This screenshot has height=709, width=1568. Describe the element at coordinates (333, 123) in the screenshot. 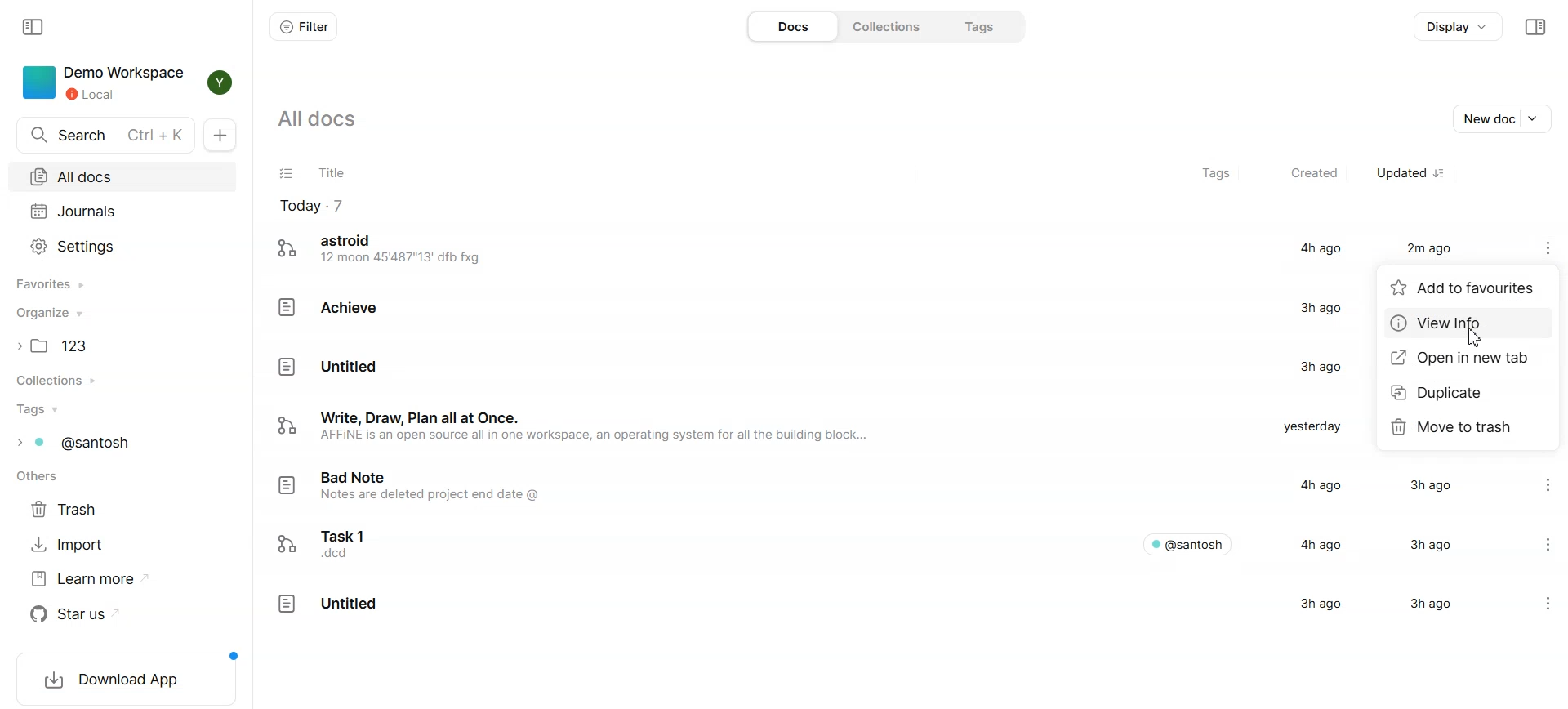

I see `all docs` at that location.